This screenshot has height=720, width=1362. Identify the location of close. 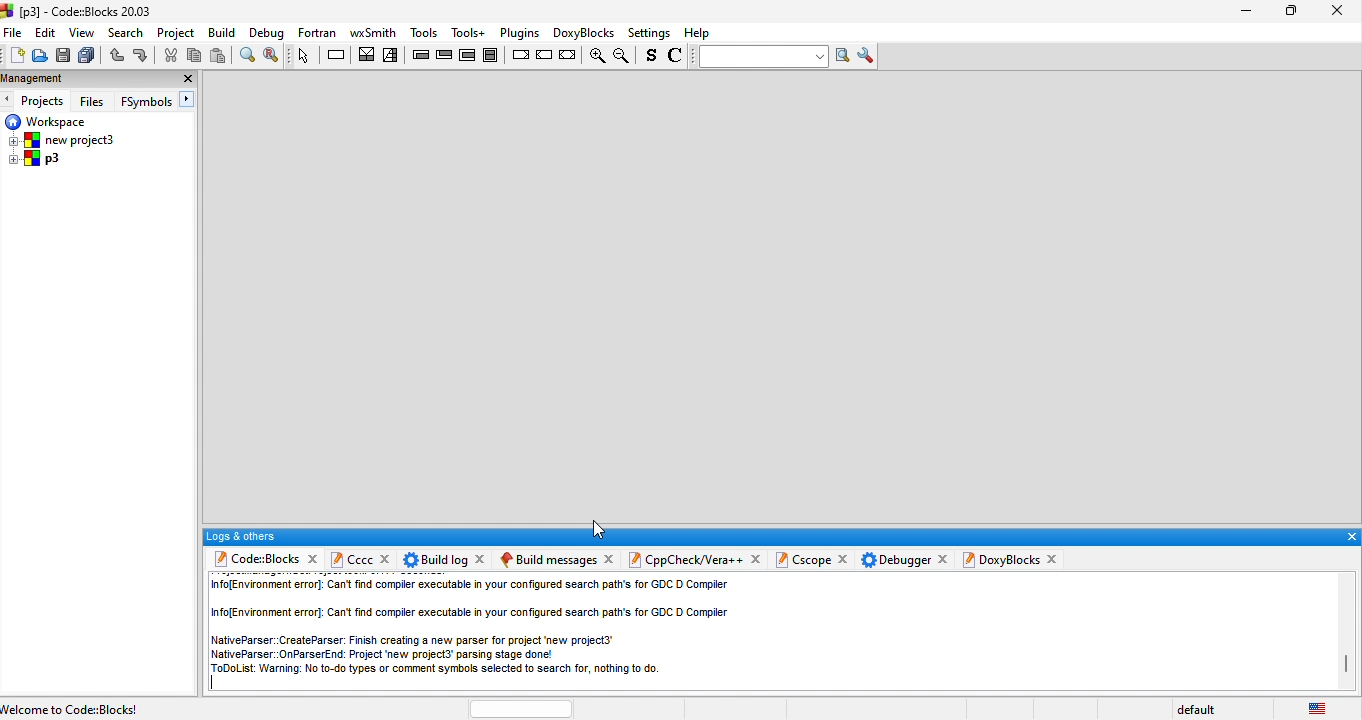
(1057, 560).